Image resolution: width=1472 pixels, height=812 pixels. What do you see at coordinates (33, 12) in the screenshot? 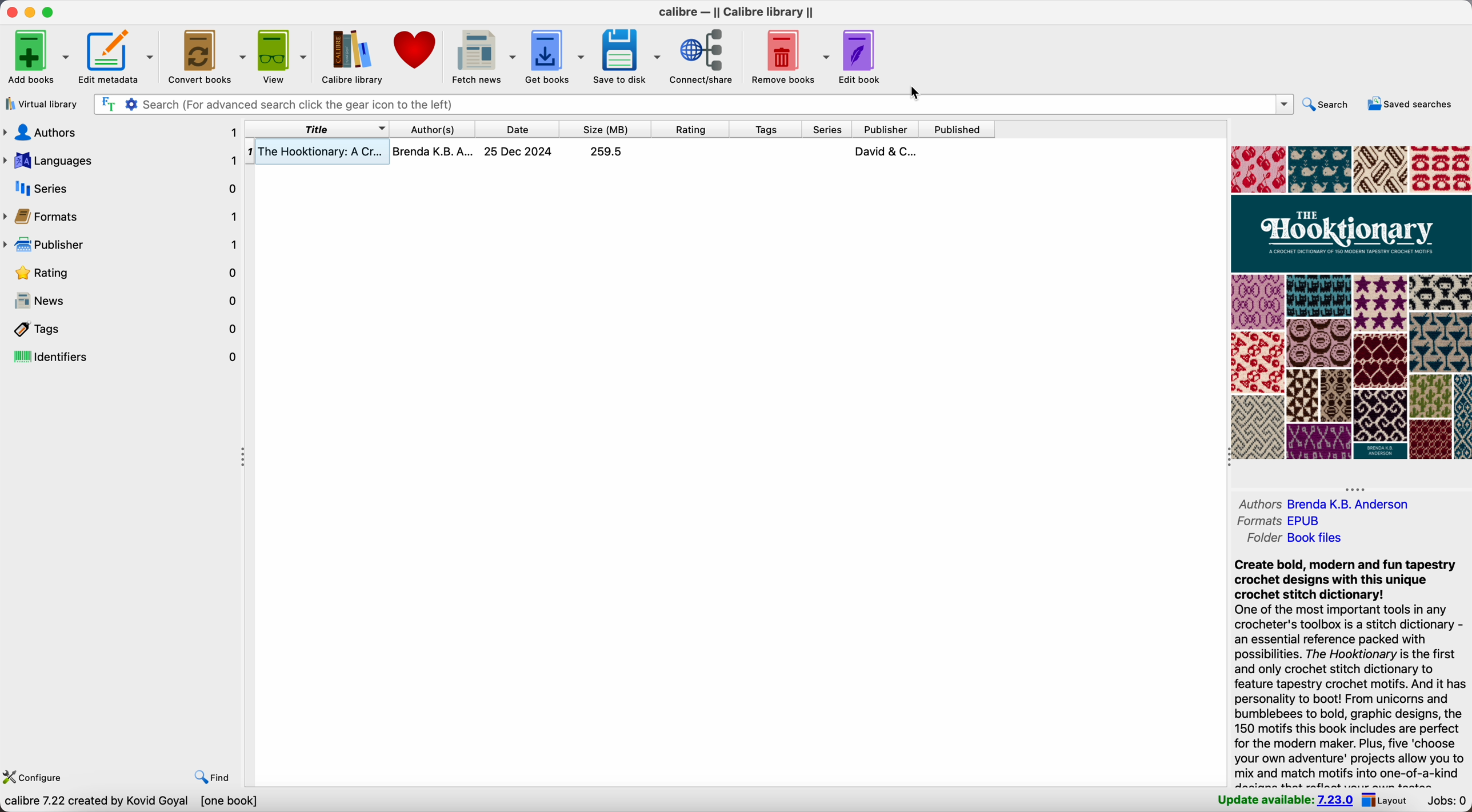
I see `minimize` at bounding box center [33, 12].